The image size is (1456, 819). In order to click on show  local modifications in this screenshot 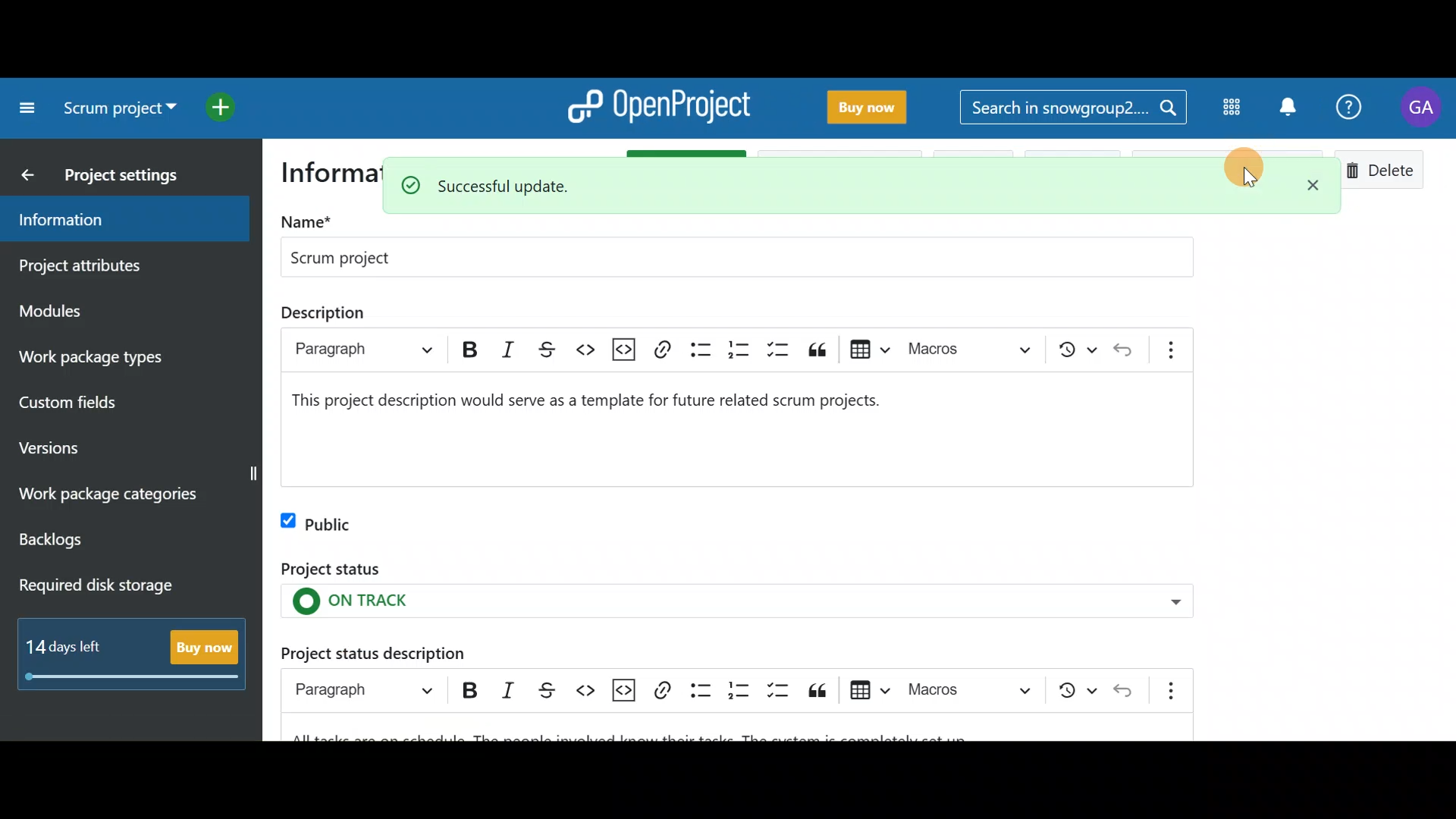, I will do `click(1076, 349)`.